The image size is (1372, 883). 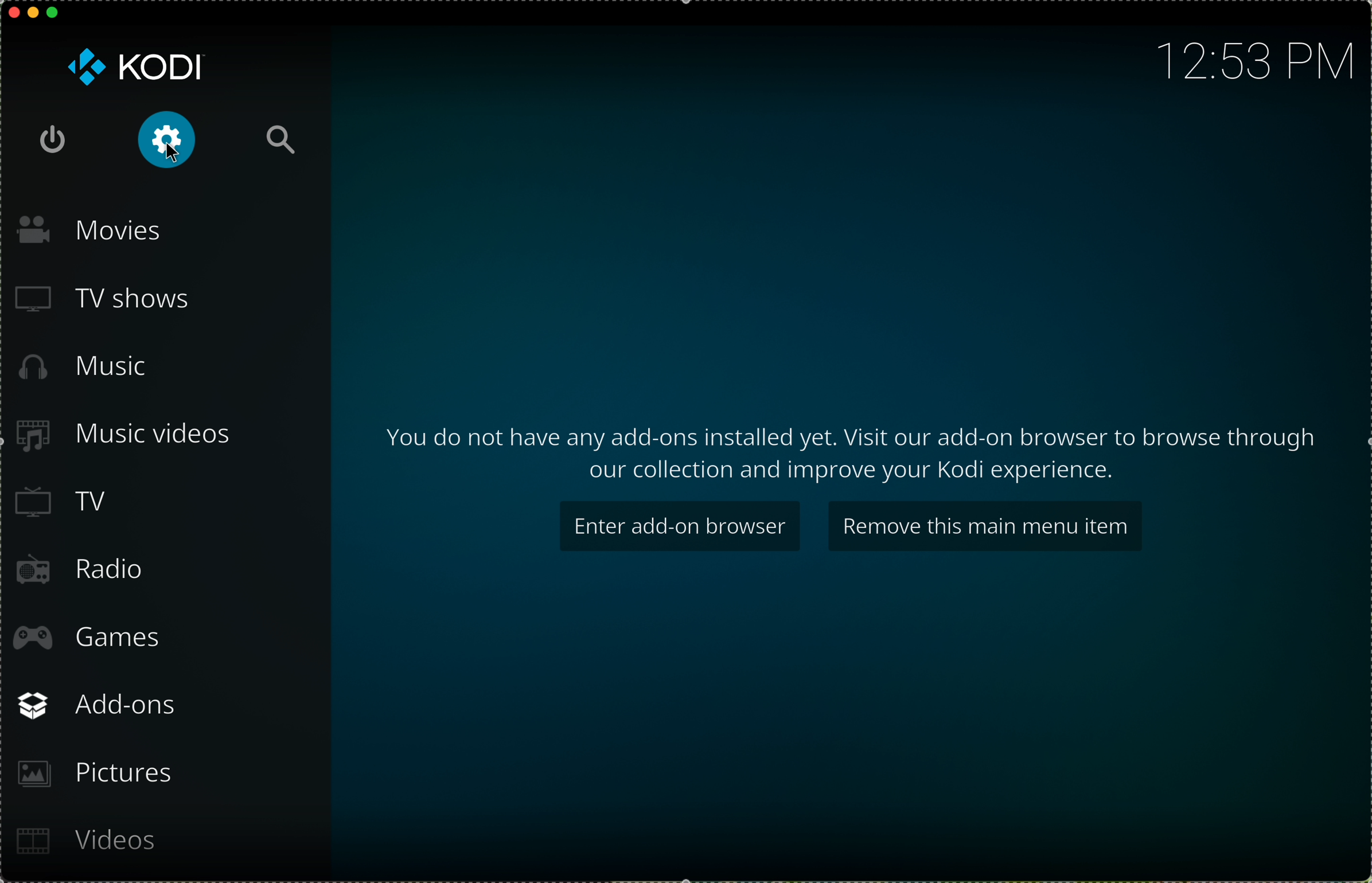 I want to click on Cursor, so click(x=174, y=150).